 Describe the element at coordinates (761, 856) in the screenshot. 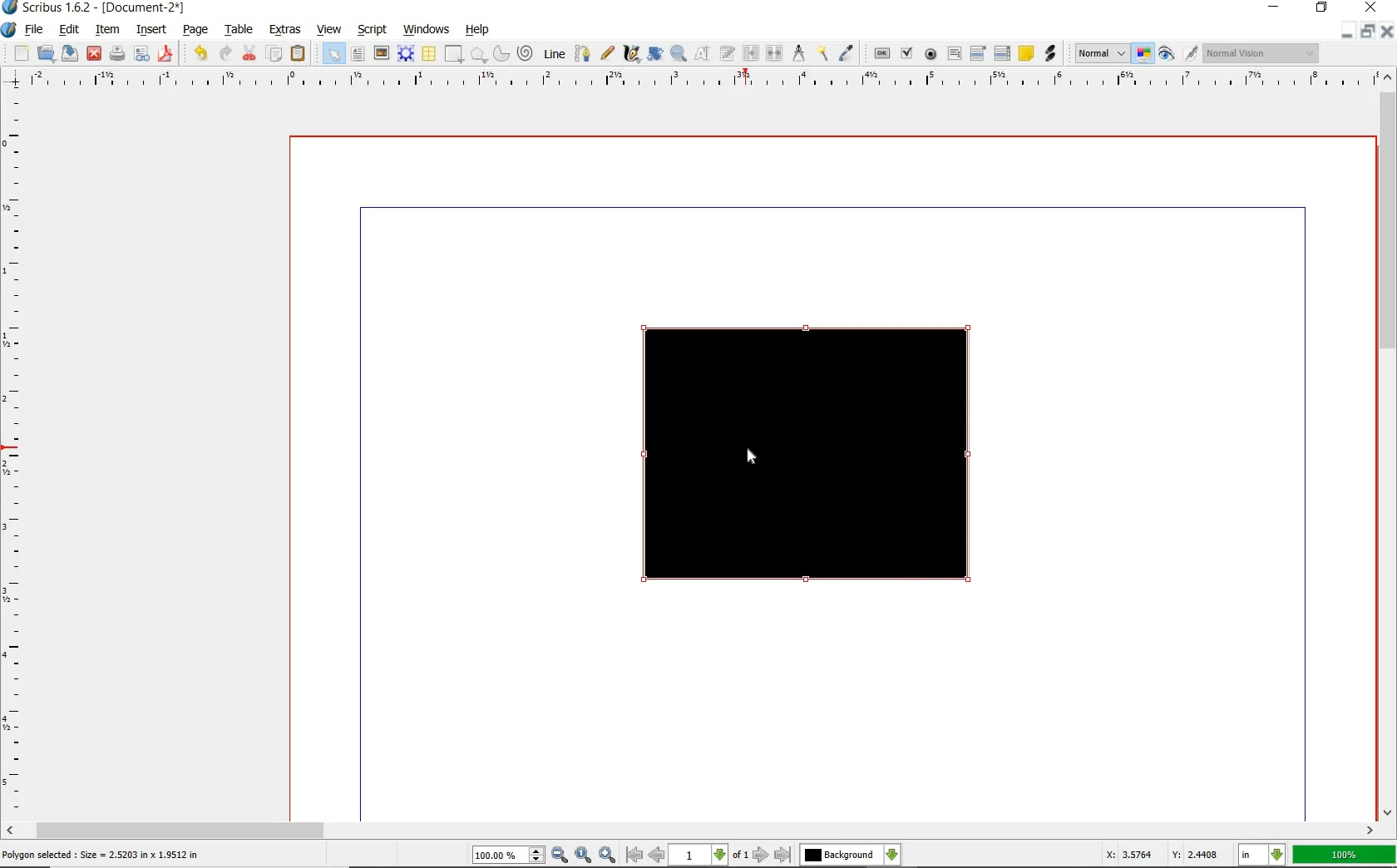

I see `go to next page` at that location.